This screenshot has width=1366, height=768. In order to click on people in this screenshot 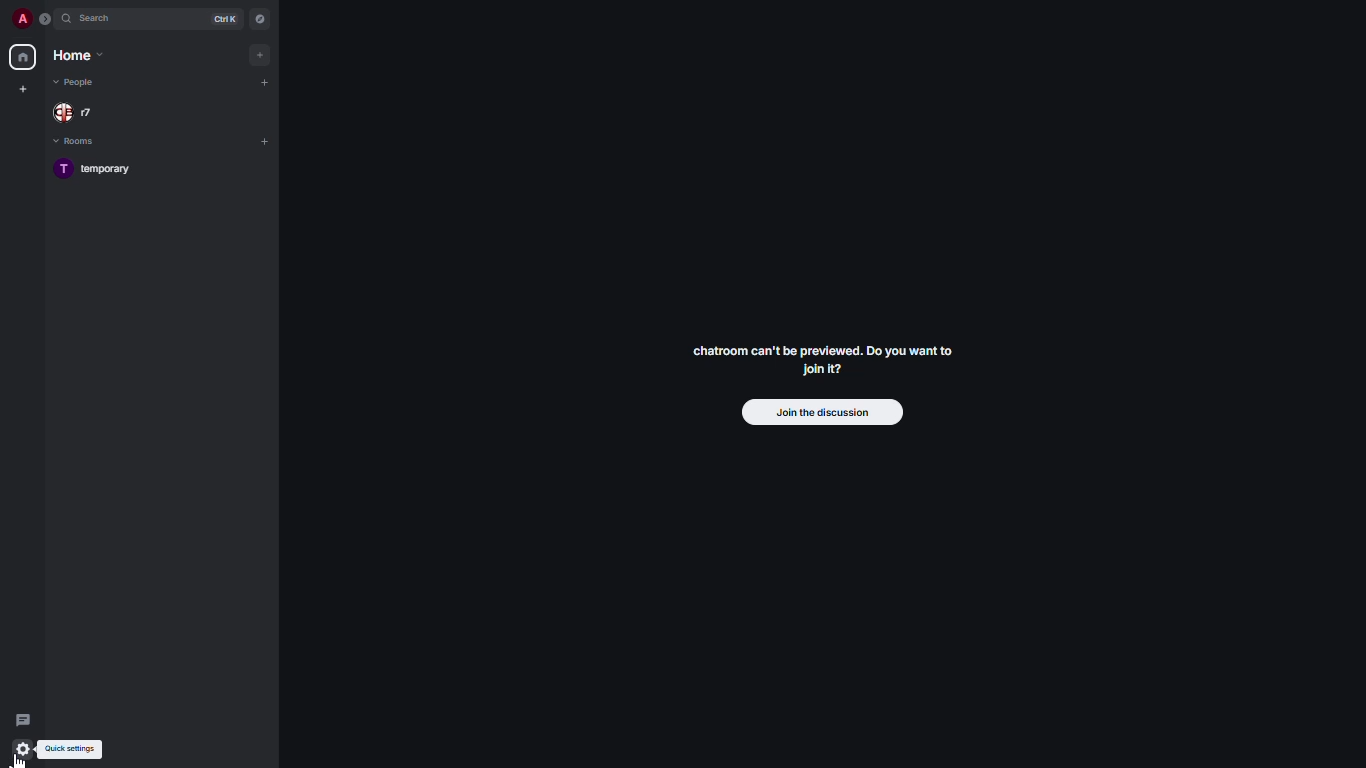, I will do `click(77, 111)`.